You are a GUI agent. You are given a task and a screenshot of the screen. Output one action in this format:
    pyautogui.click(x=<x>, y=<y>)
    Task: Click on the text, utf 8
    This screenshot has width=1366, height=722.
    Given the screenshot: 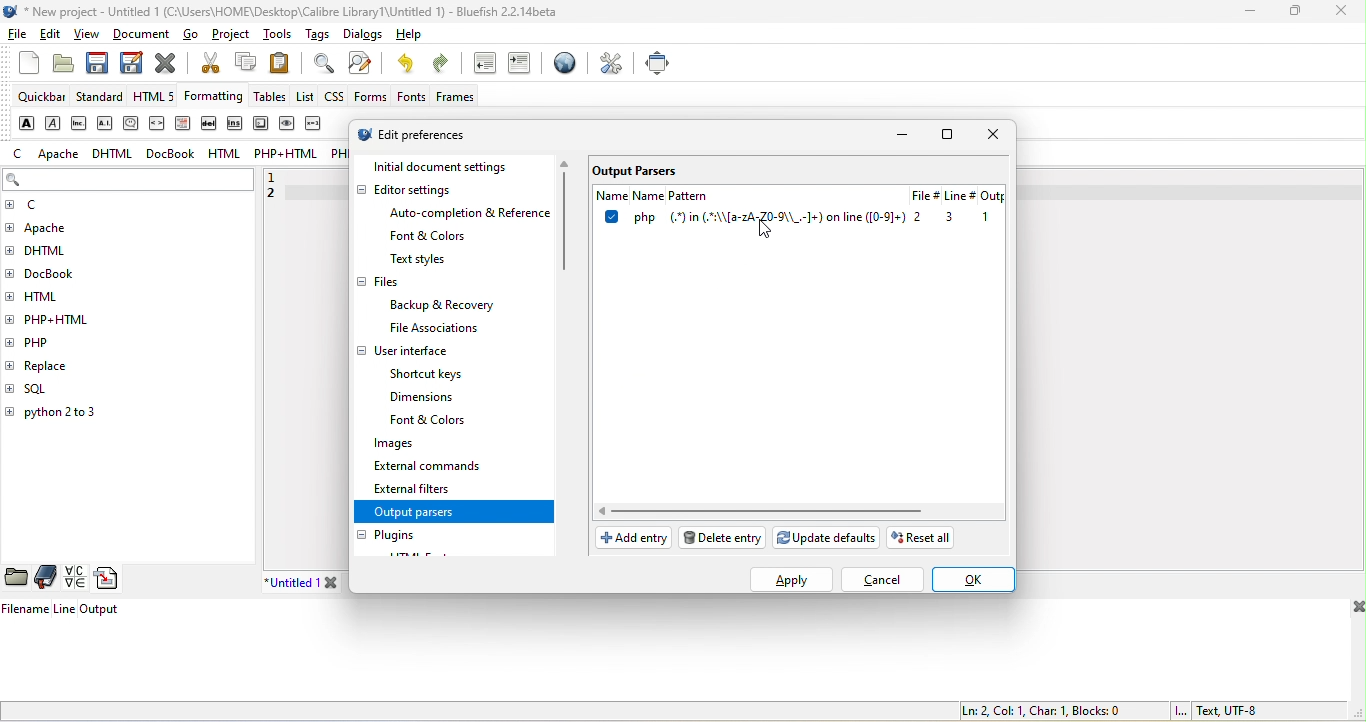 What is the action you would take?
    pyautogui.click(x=1215, y=711)
    